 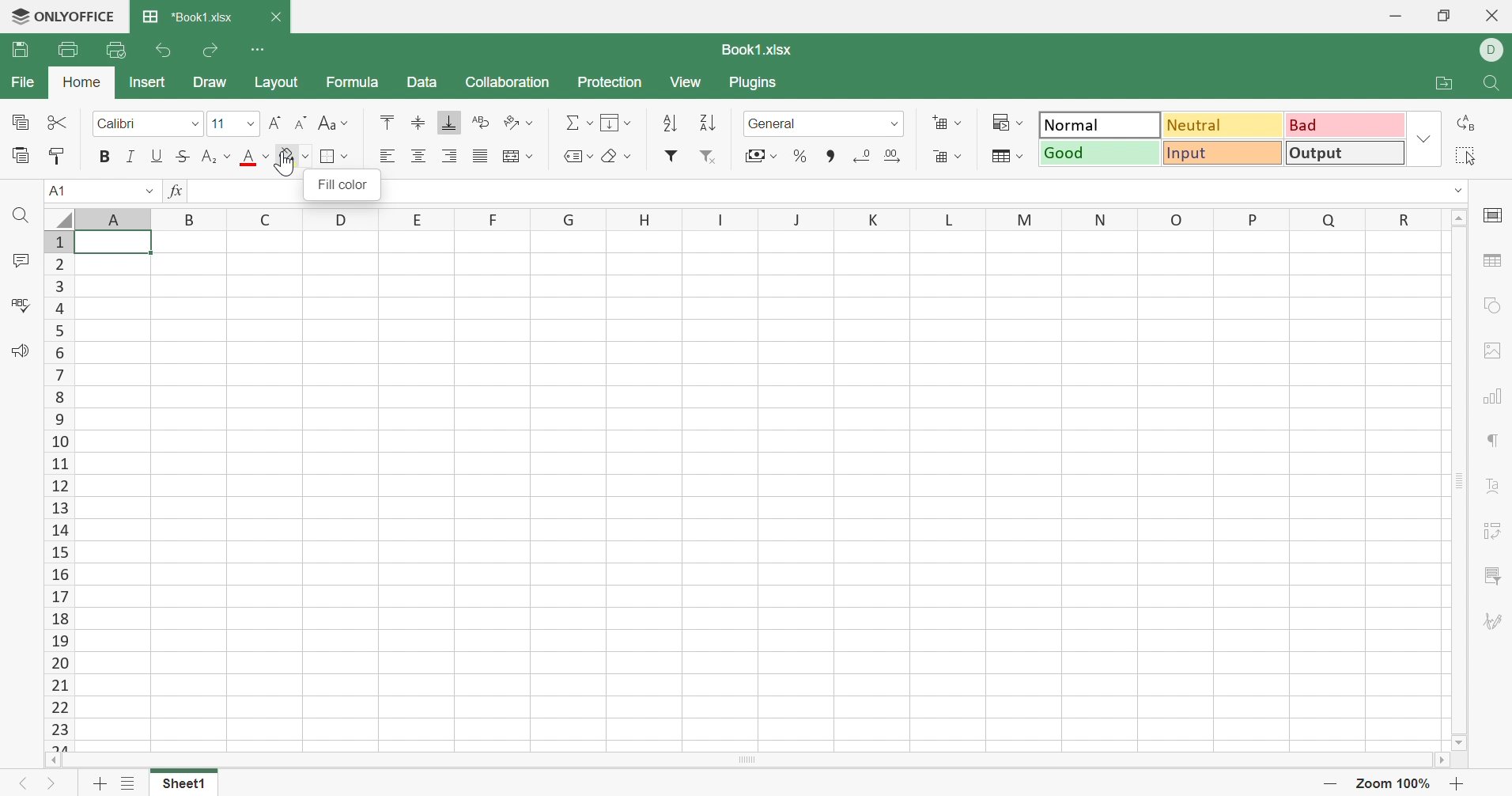 I want to click on Drop Down, so click(x=1458, y=191).